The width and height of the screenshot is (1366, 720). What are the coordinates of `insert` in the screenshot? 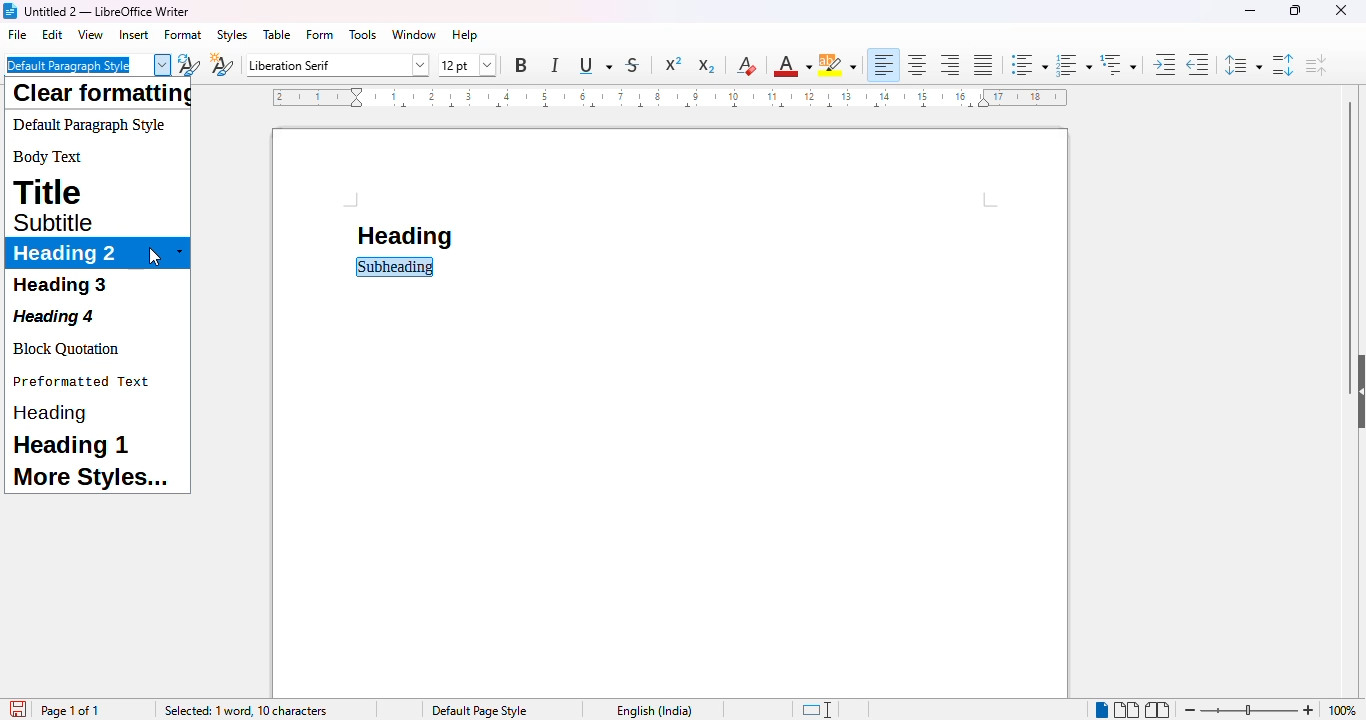 It's located at (134, 35).